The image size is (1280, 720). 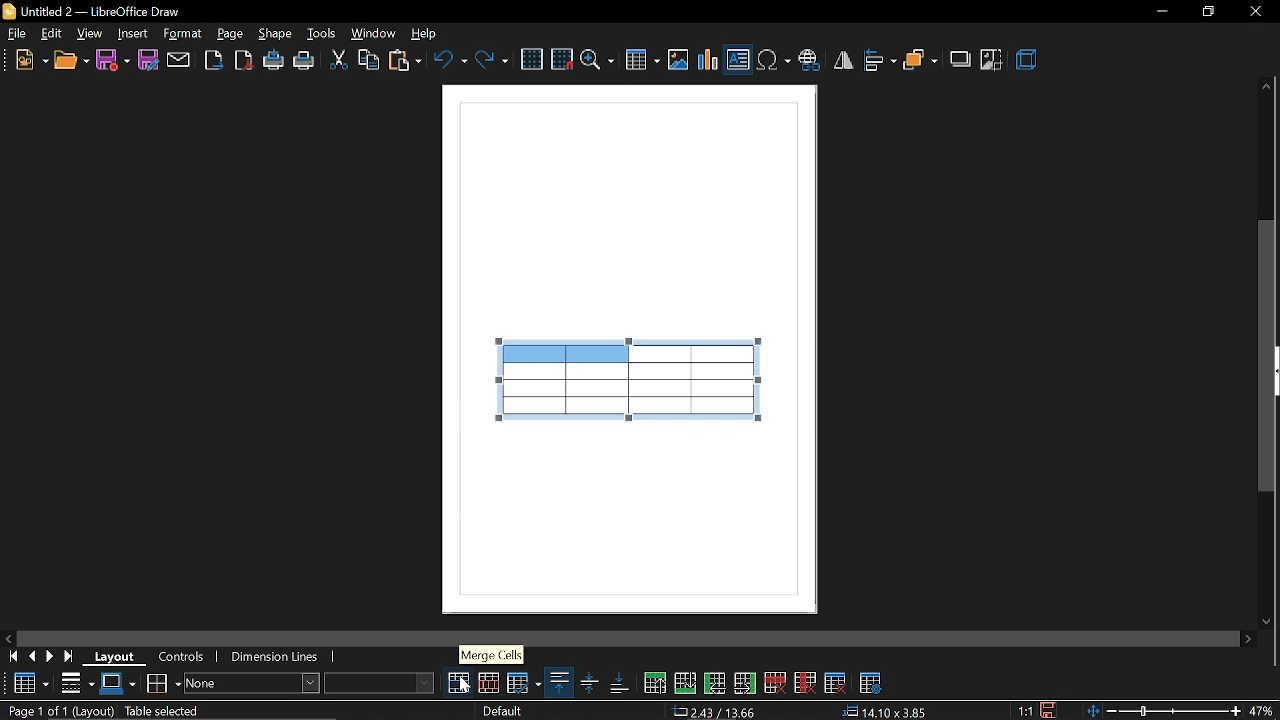 What do you see at coordinates (51, 656) in the screenshot?
I see `next page` at bounding box center [51, 656].